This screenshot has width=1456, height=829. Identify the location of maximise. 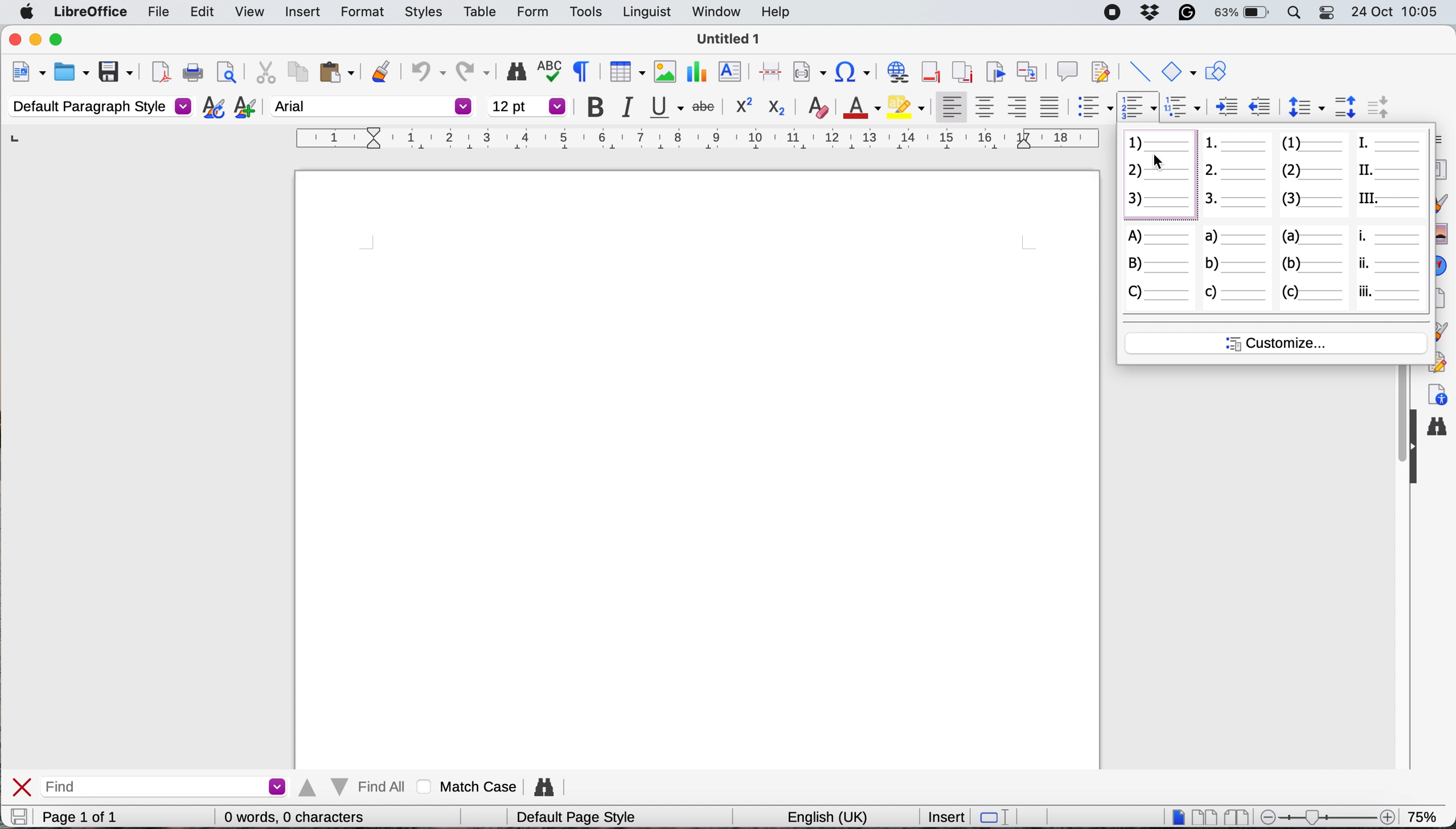
(59, 40).